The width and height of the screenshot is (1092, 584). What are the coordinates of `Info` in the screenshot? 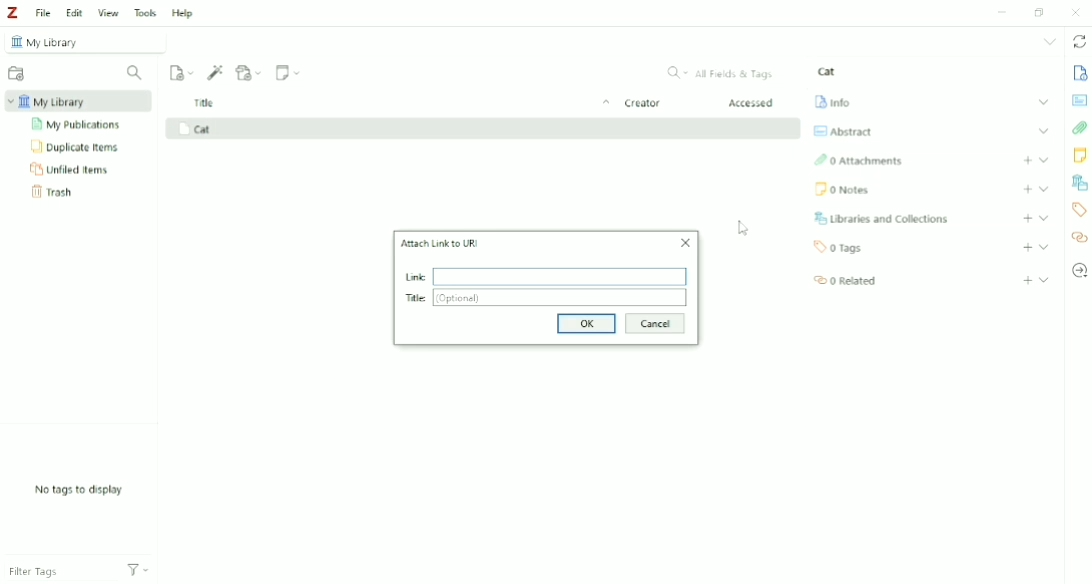 It's located at (832, 100).